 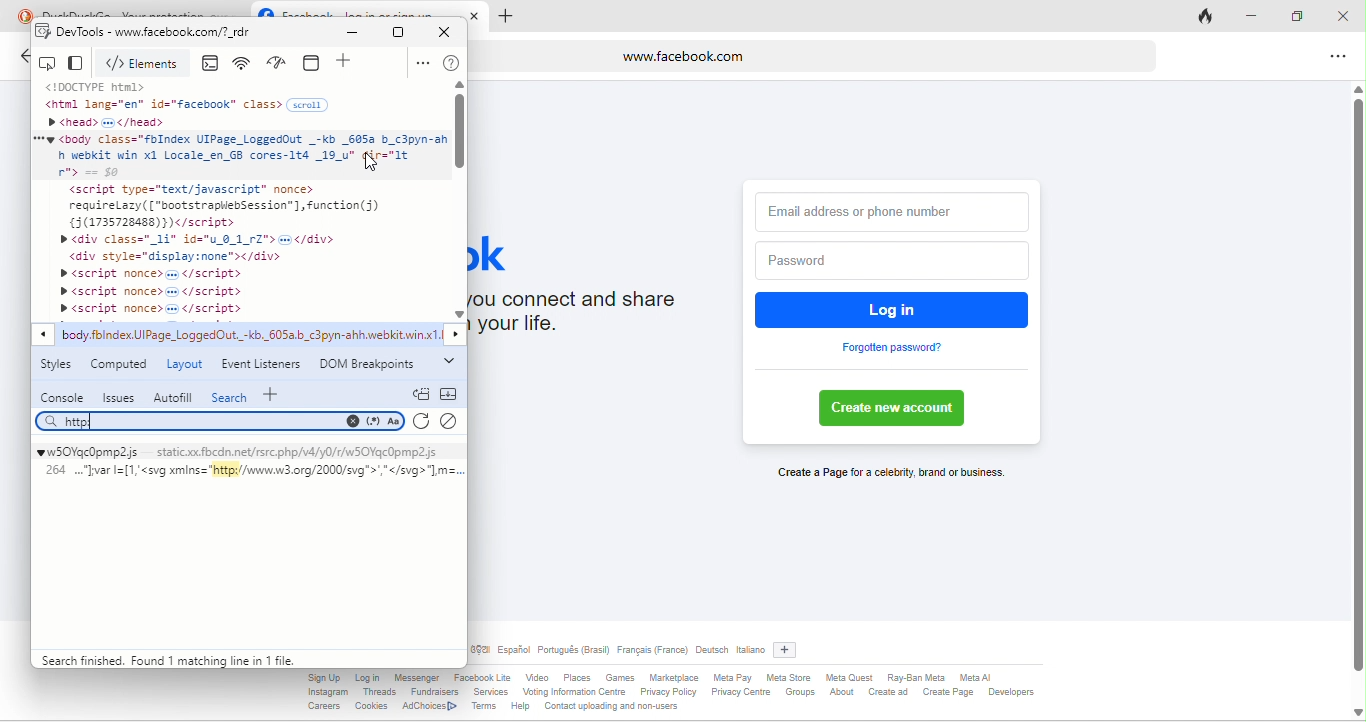 I want to click on scroll down, so click(x=1356, y=711).